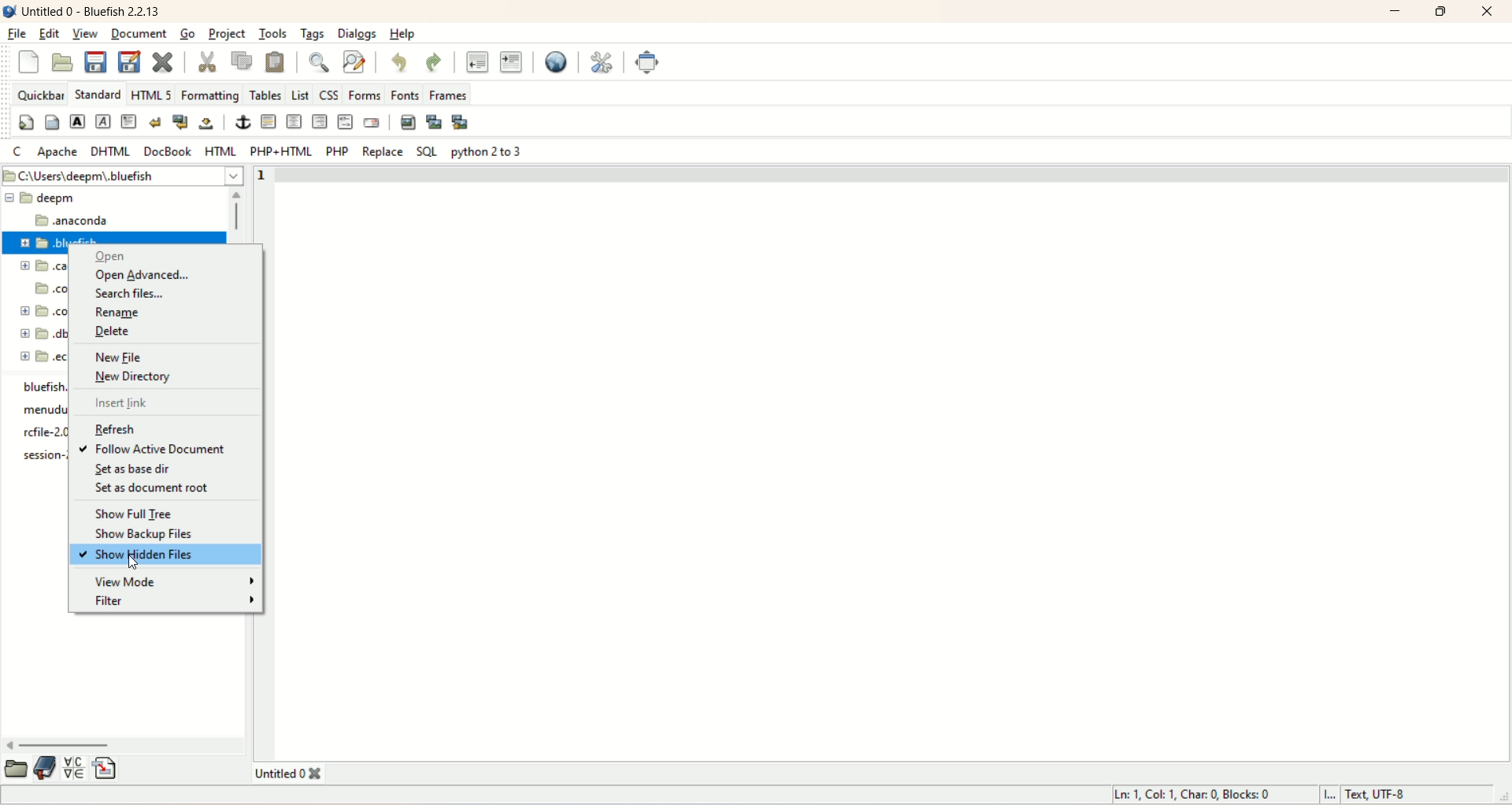  I want to click on I, so click(1331, 796).